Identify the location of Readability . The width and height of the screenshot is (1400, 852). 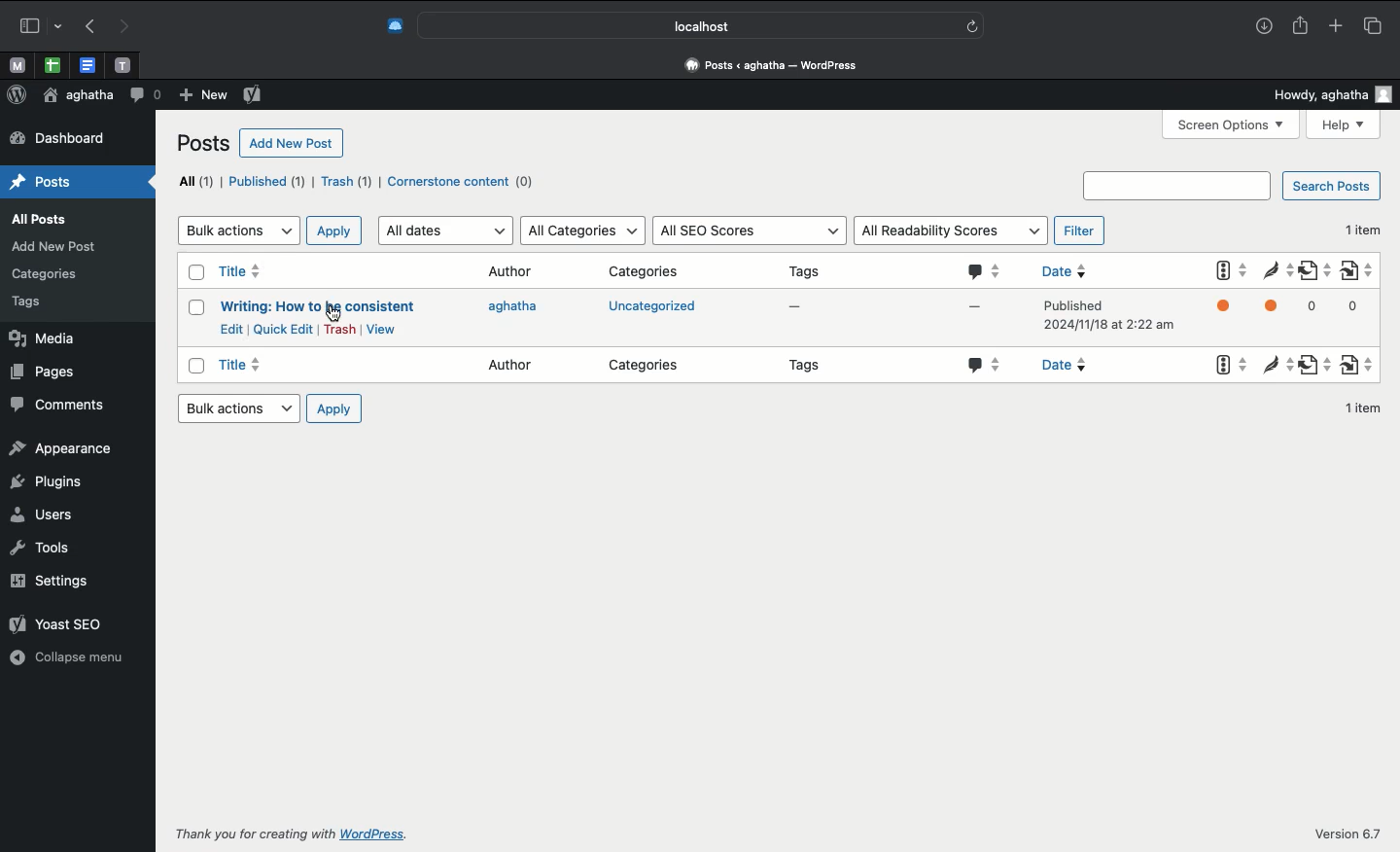
(1277, 269).